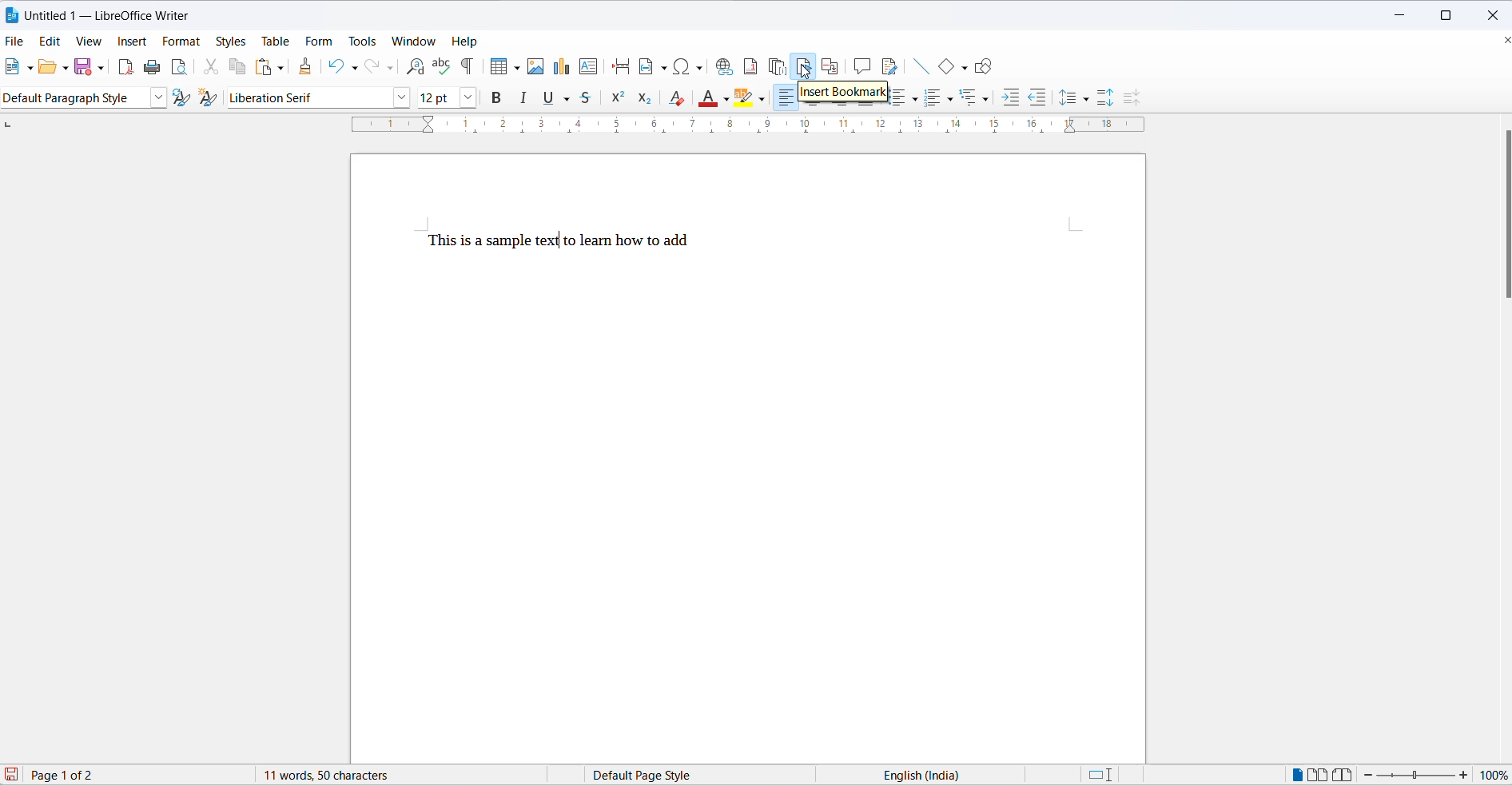  What do you see at coordinates (1091, 100) in the screenshot?
I see `line spacing options` at bounding box center [1091, 100].